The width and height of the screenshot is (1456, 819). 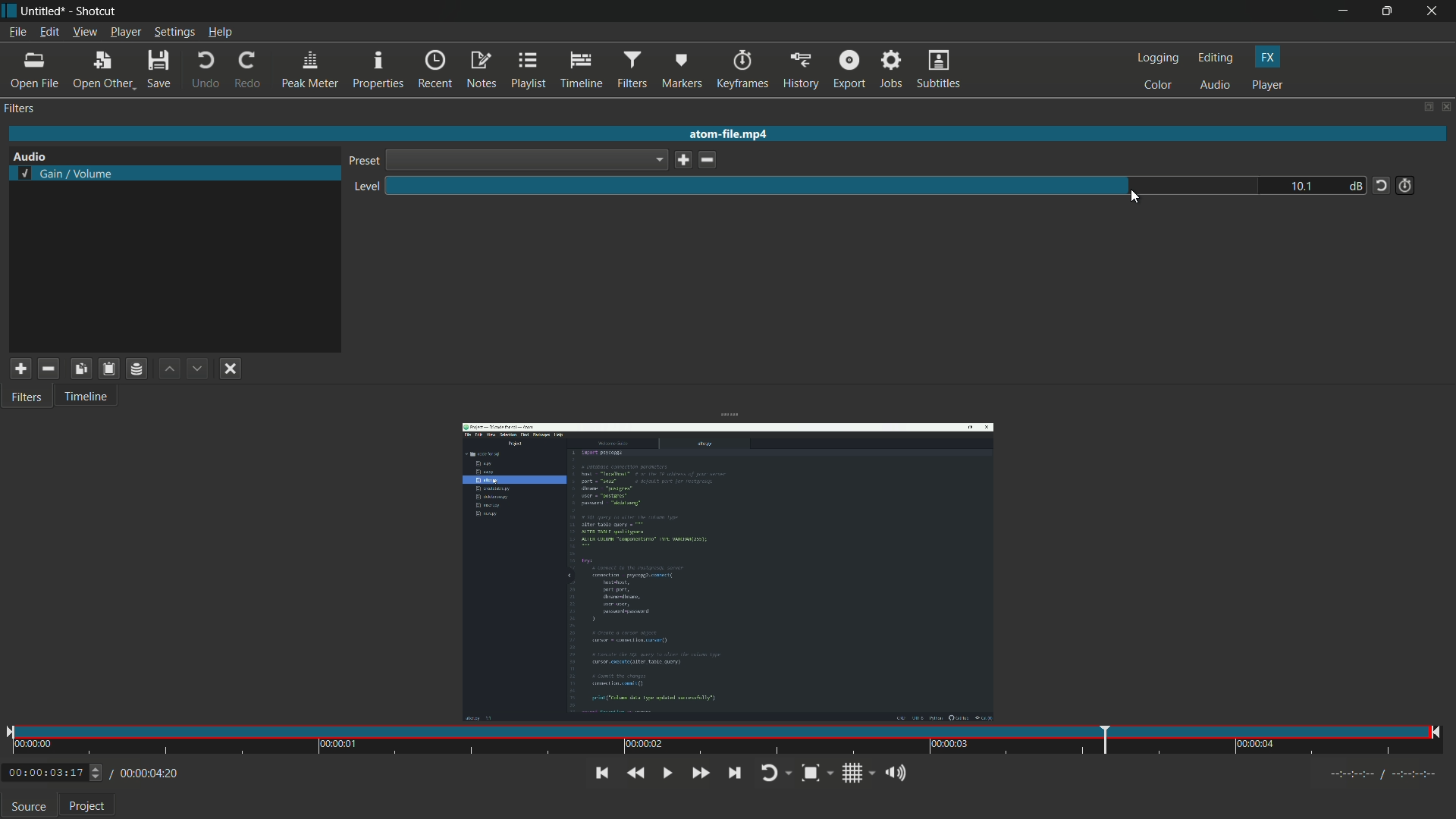 What do you see at coordinates (1354, 186) in the screenshot?
I see `db` at bounding box center [1354, 186].